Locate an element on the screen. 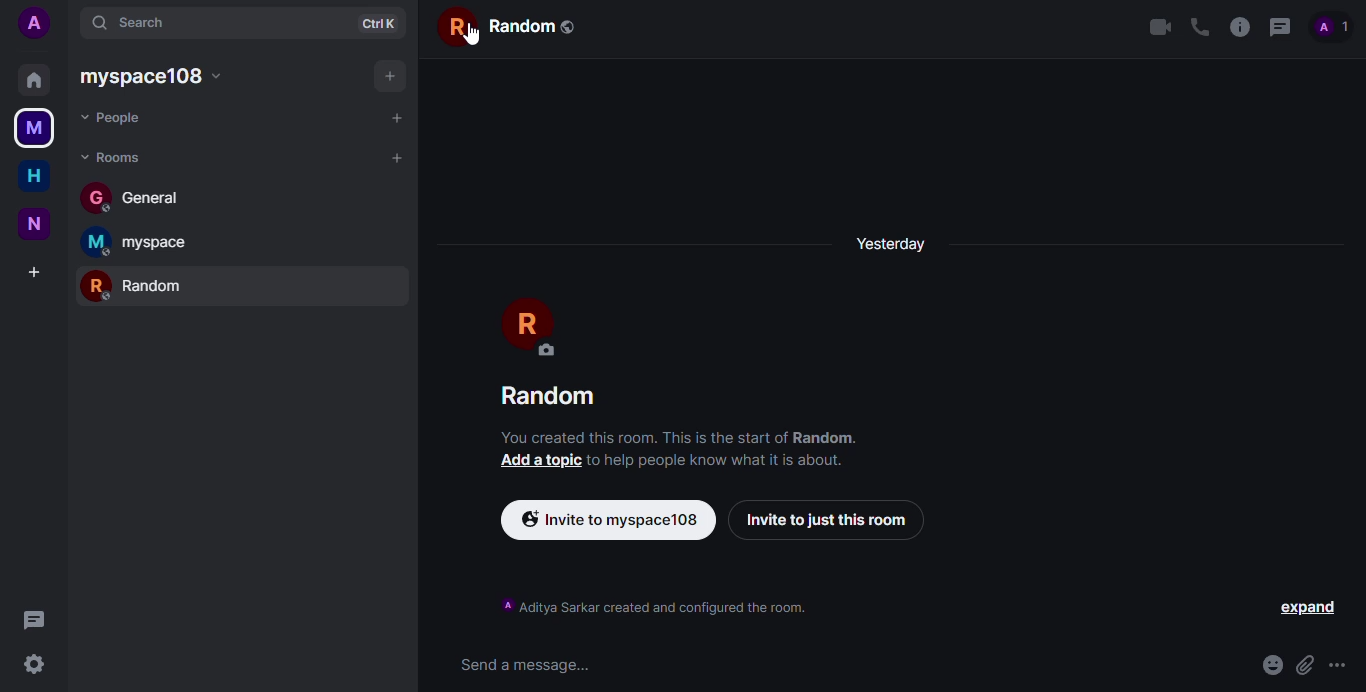  add a topic is located at coordinates (538, 460).